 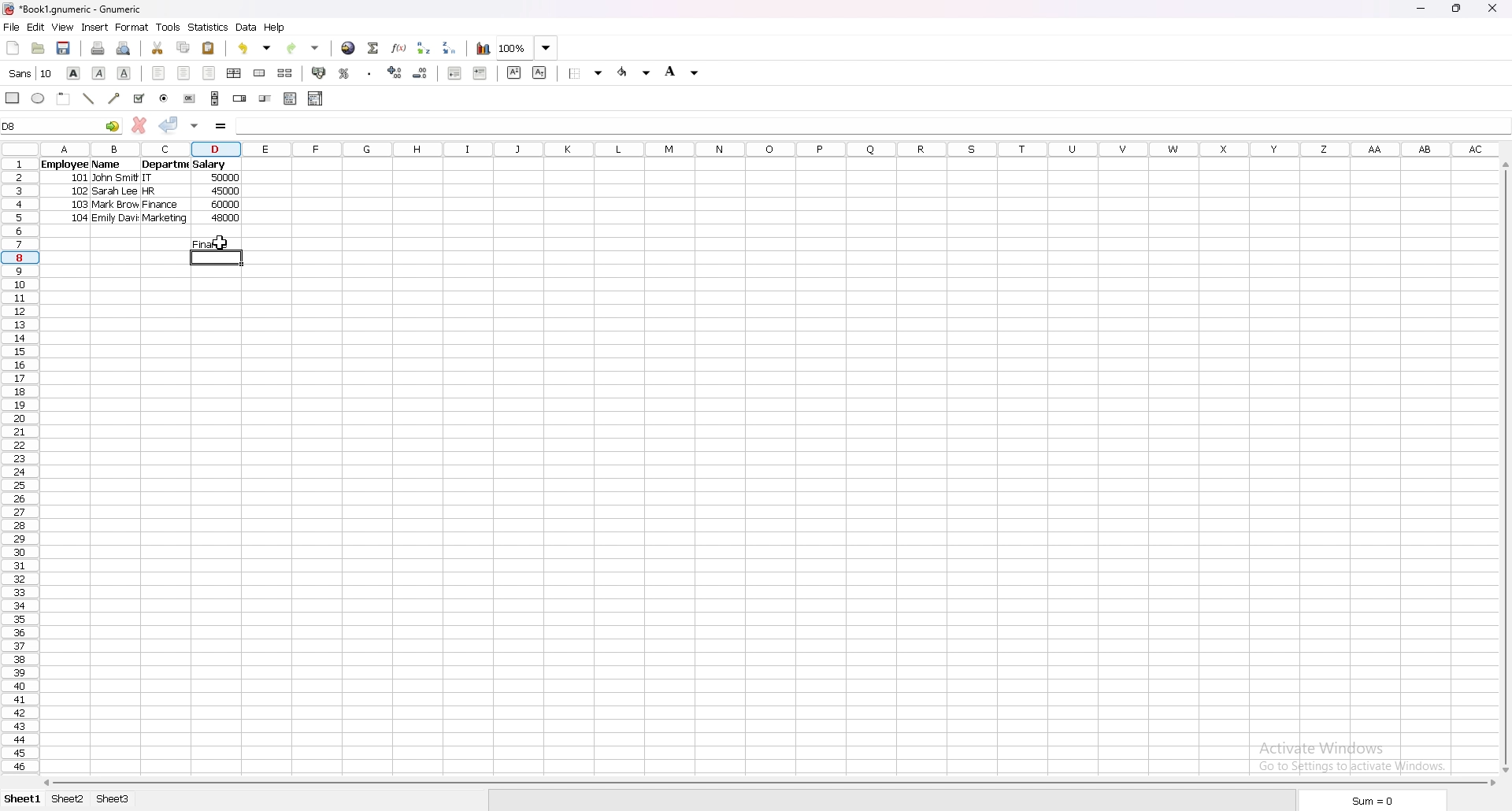 What do you see at coordinates (1503, 467) in the screenshot?
I see `scroll bar` at bounding box center [1503, 467].